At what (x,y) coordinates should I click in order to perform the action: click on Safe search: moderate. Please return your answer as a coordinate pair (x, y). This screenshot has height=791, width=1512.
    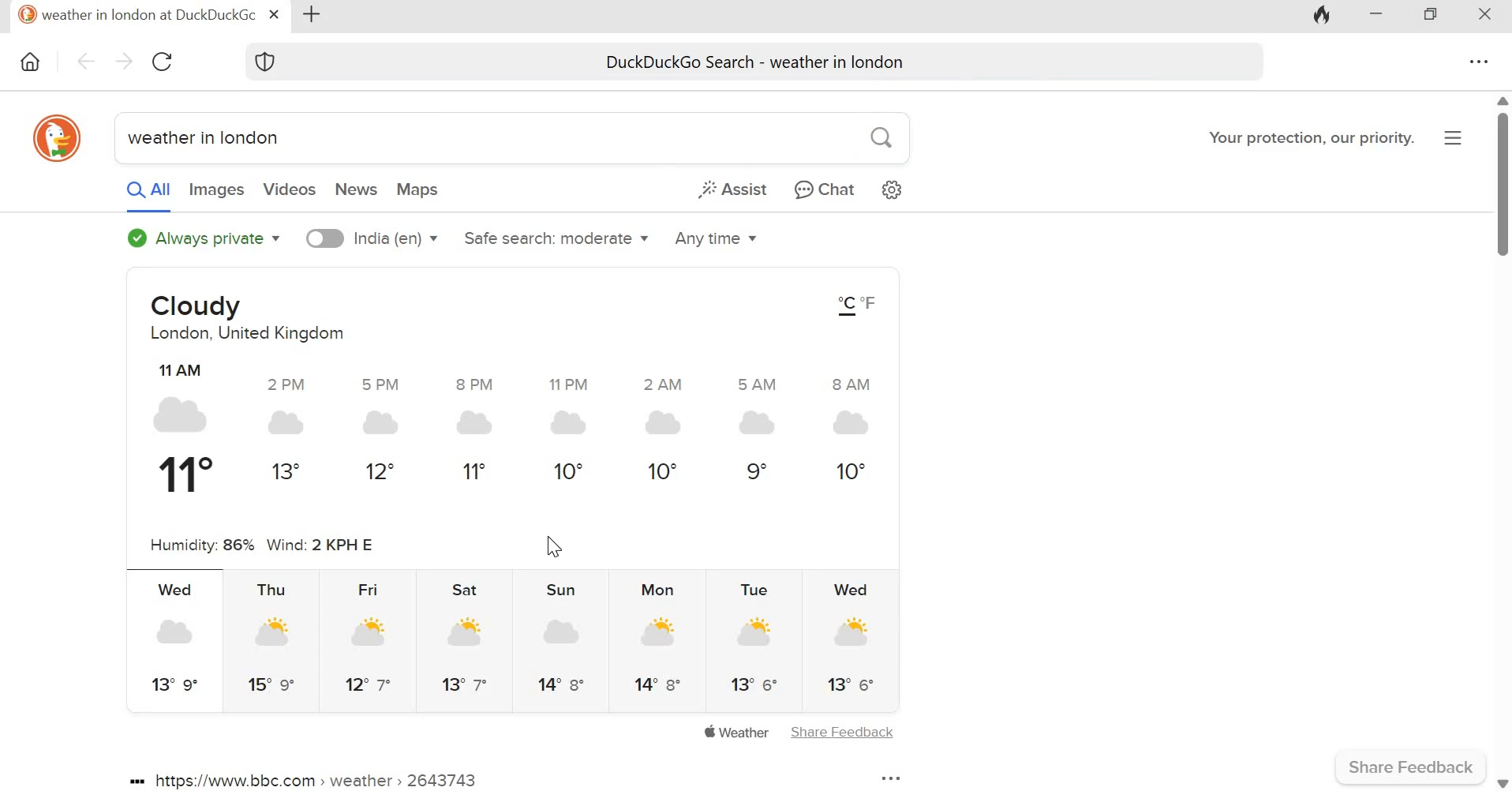
    Looking at the image, I should click on (556, 238).